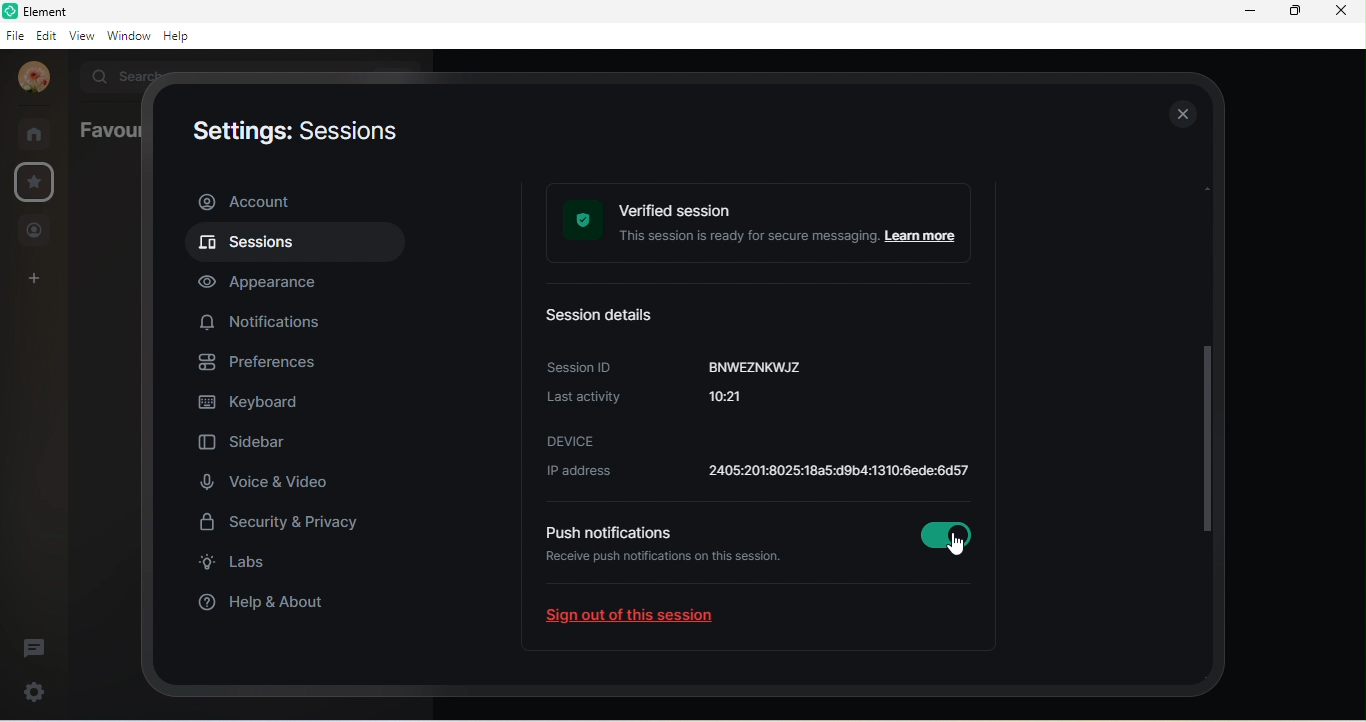  What do you see at coordinates (106, 130) in the screenshot?
I see `favourites` at bounding box center [106, 130].